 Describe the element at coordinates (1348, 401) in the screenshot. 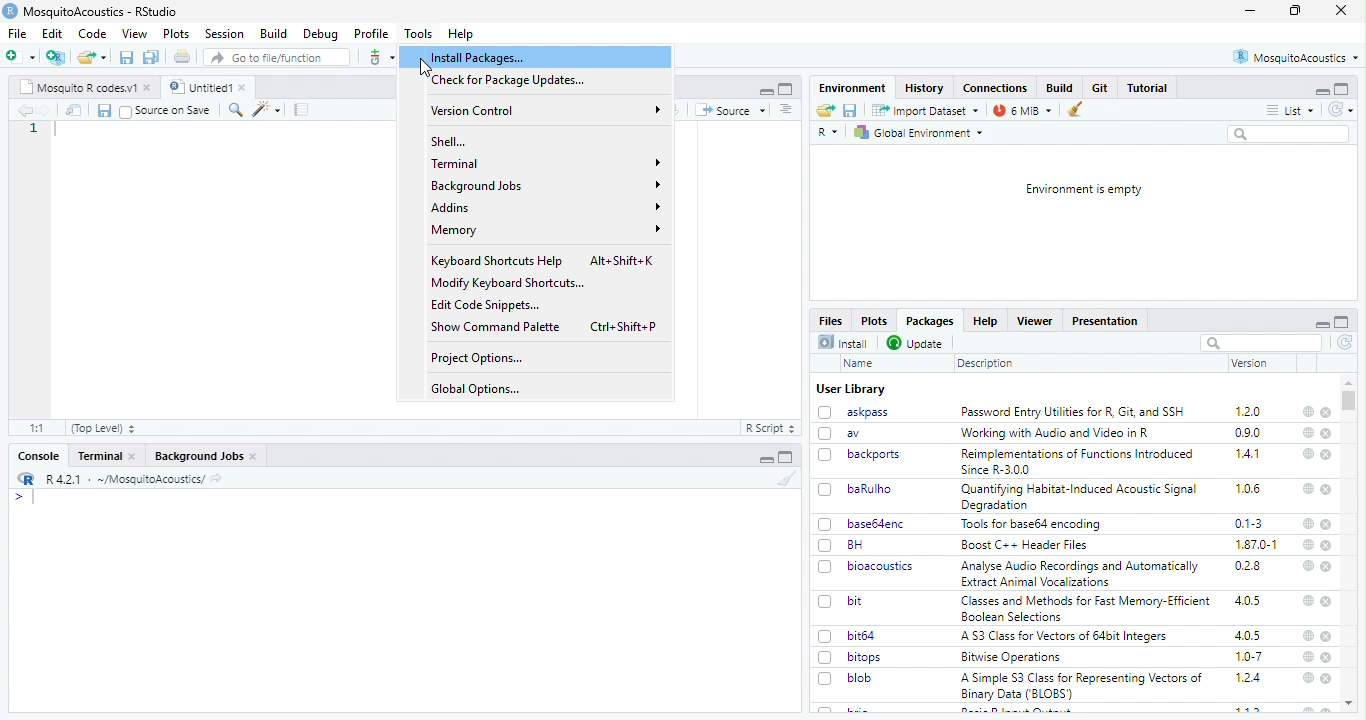

I see `scroll bar` at that location.